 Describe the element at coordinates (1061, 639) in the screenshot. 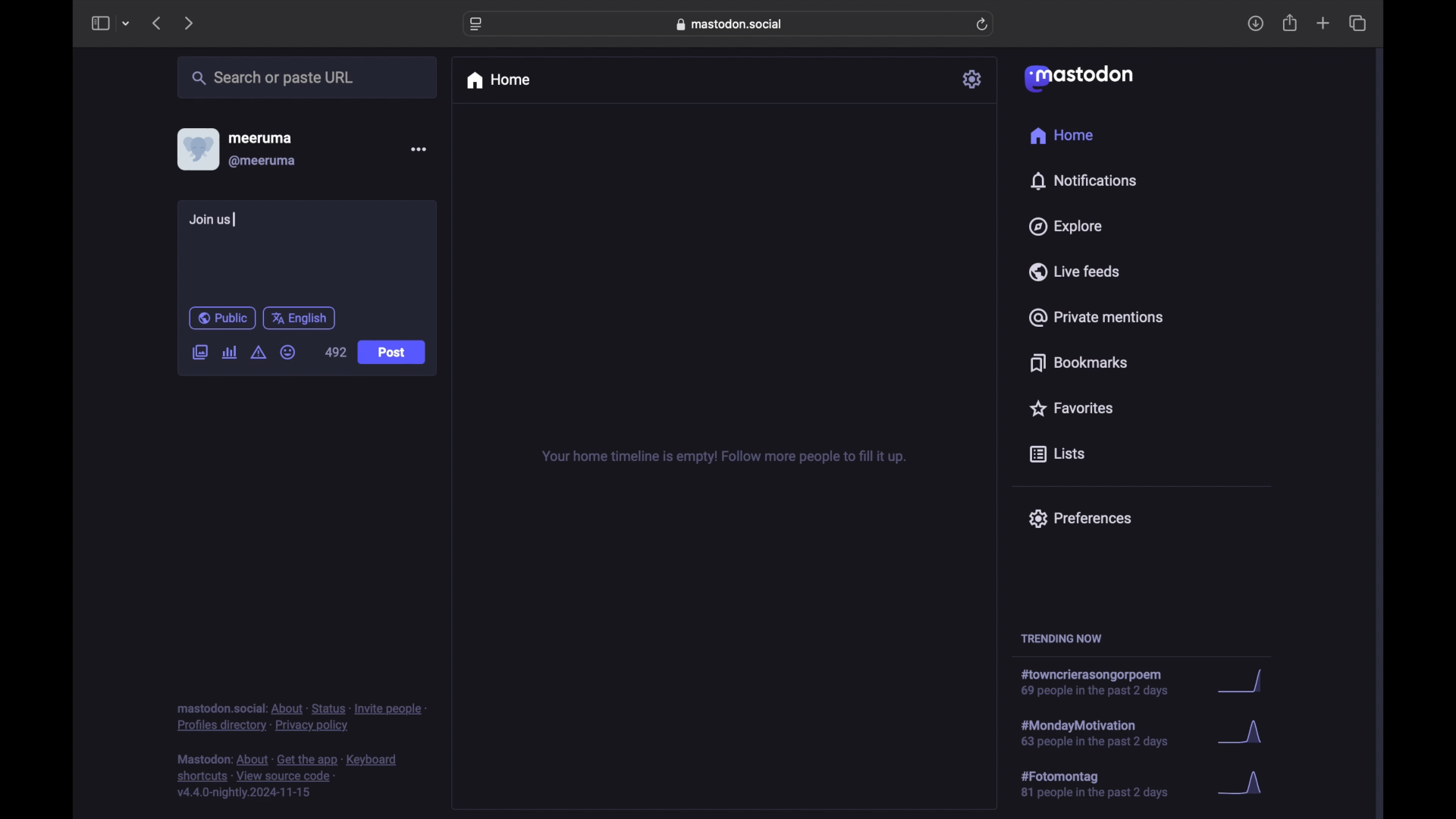

I see `trending now` at that location.